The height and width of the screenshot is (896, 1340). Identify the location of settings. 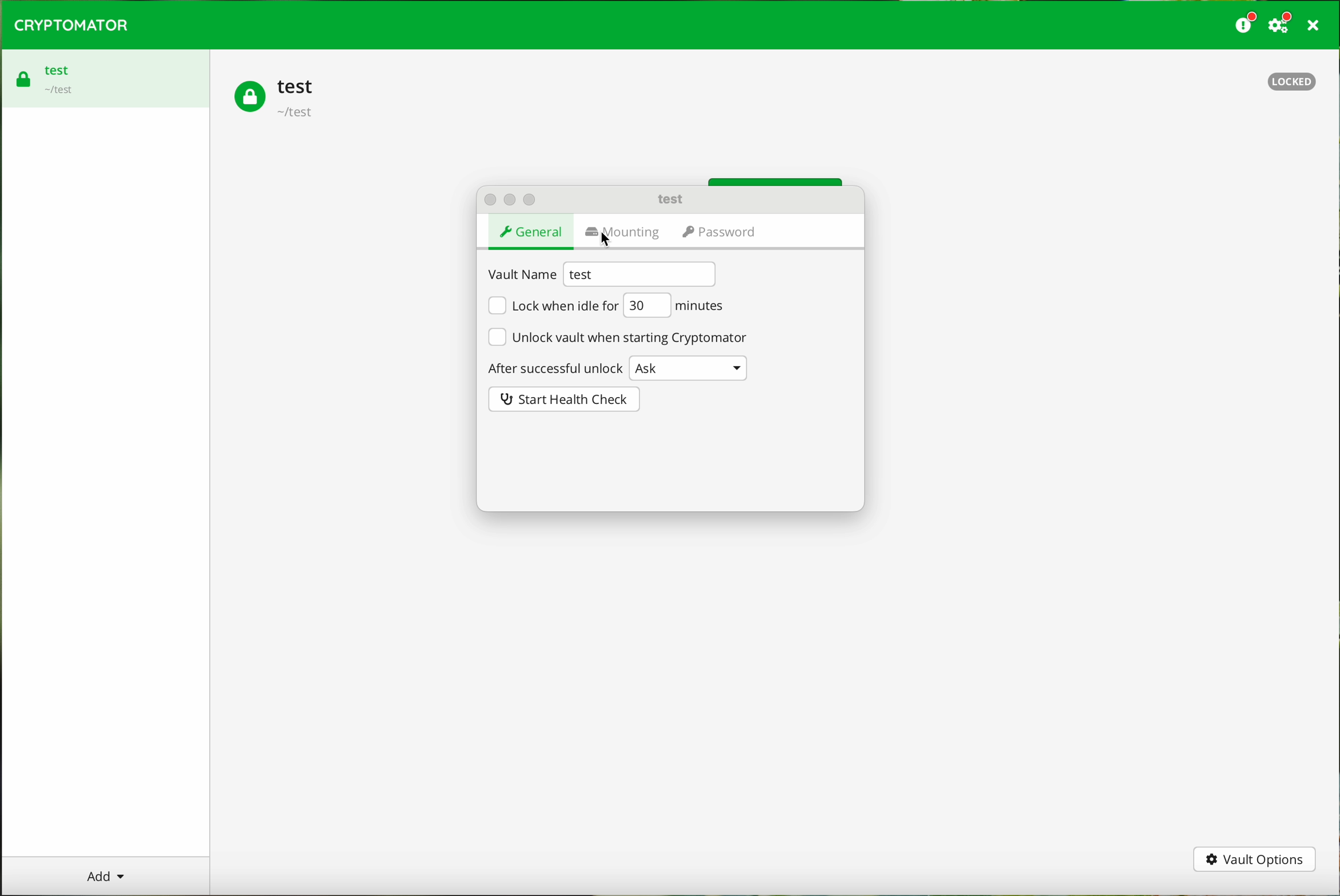
(1281, 26).